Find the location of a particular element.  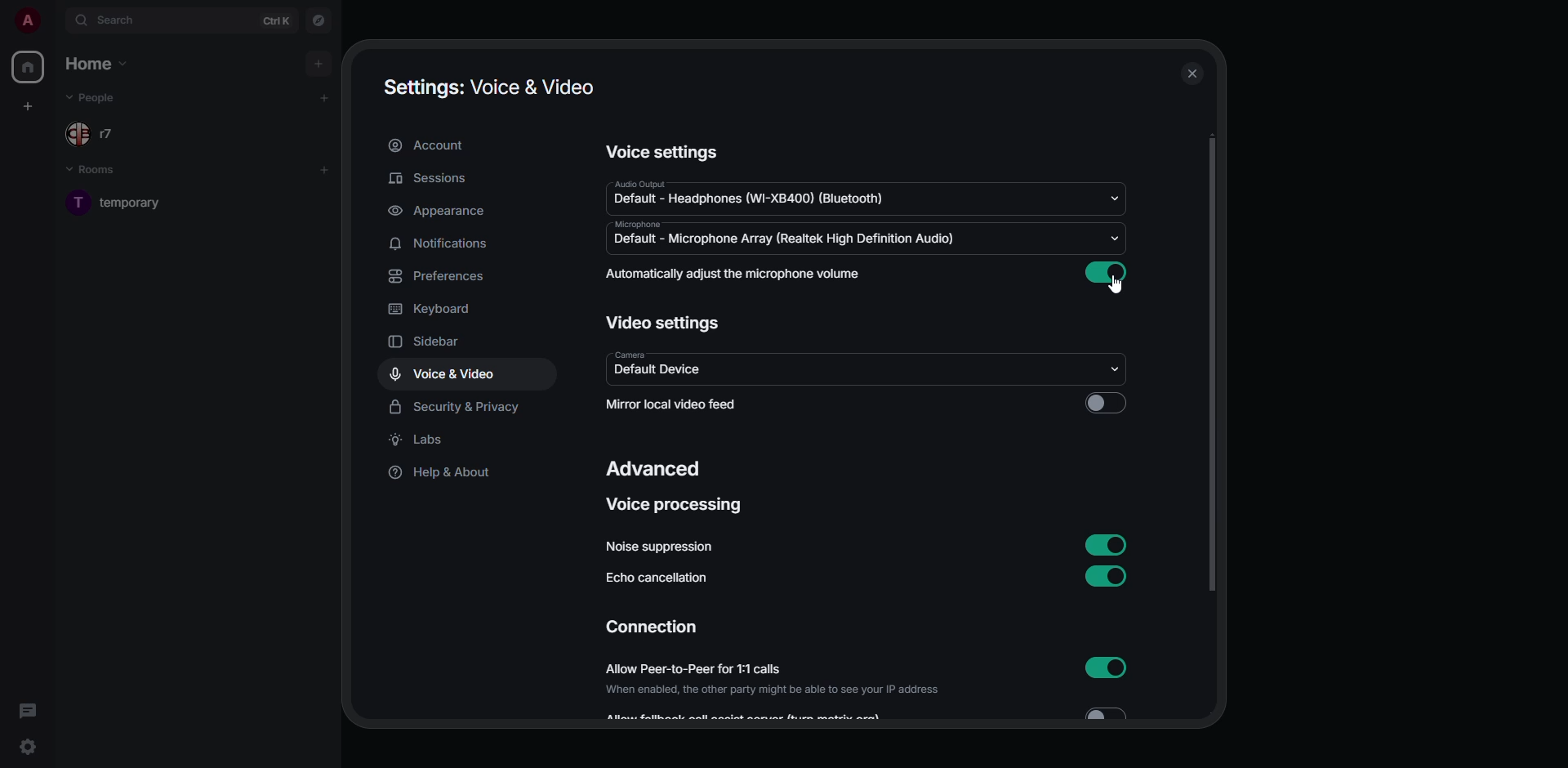

add is located at coordinates (325, 96).